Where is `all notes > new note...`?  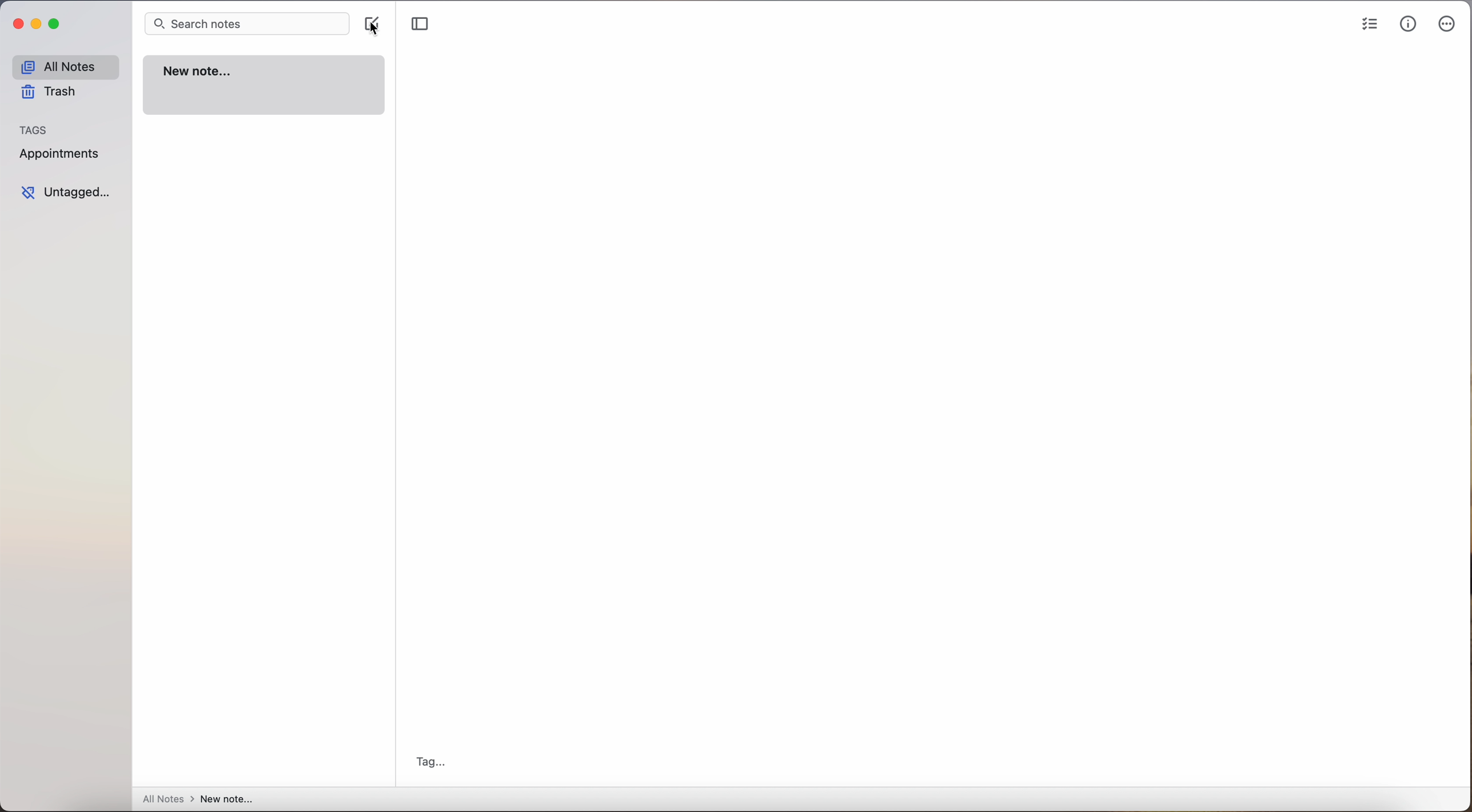
all notes > new note... is located at coordinates (197, 798).